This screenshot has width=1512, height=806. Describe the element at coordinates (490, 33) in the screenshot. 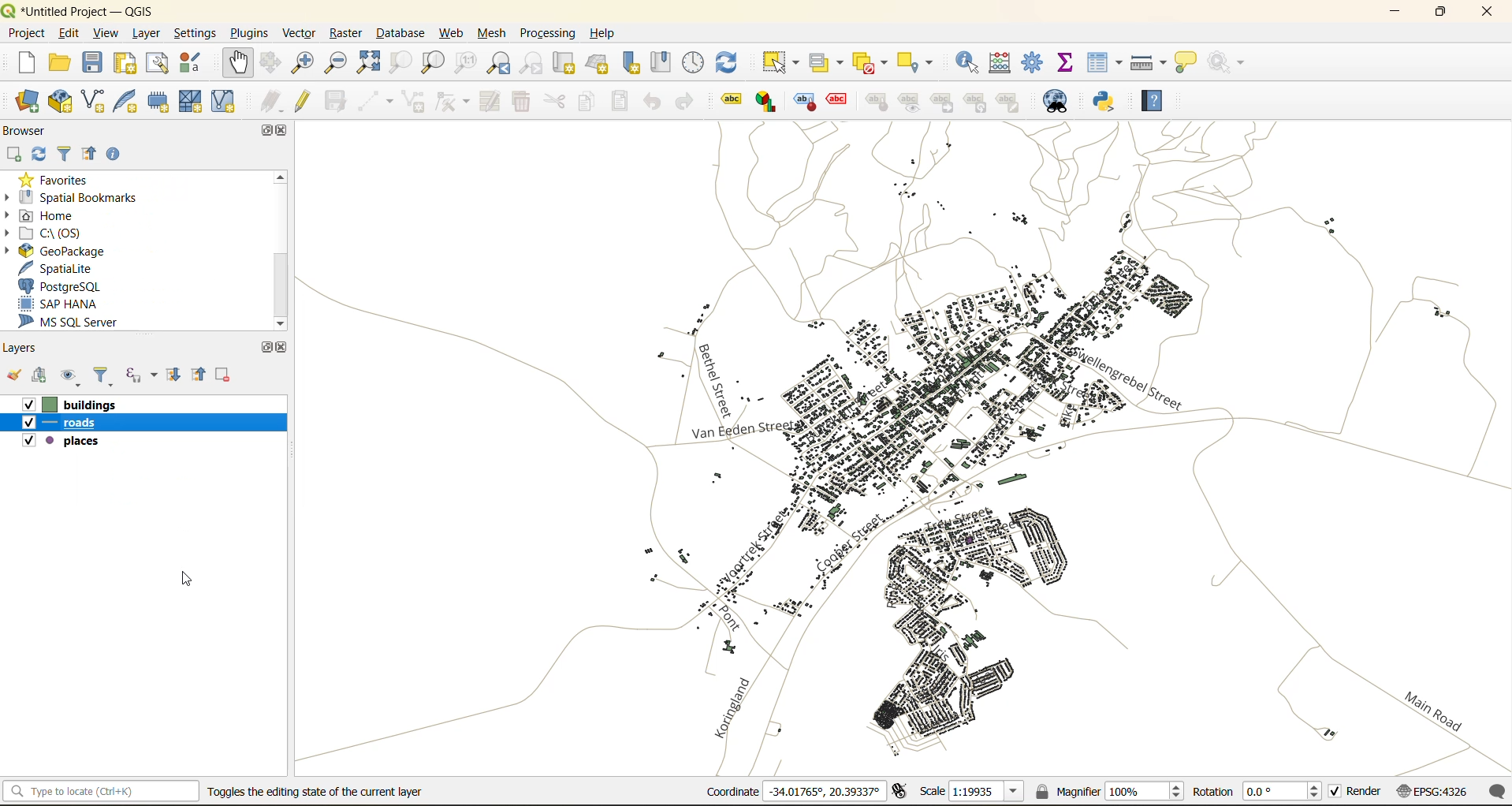

I see `mesh` at that location.